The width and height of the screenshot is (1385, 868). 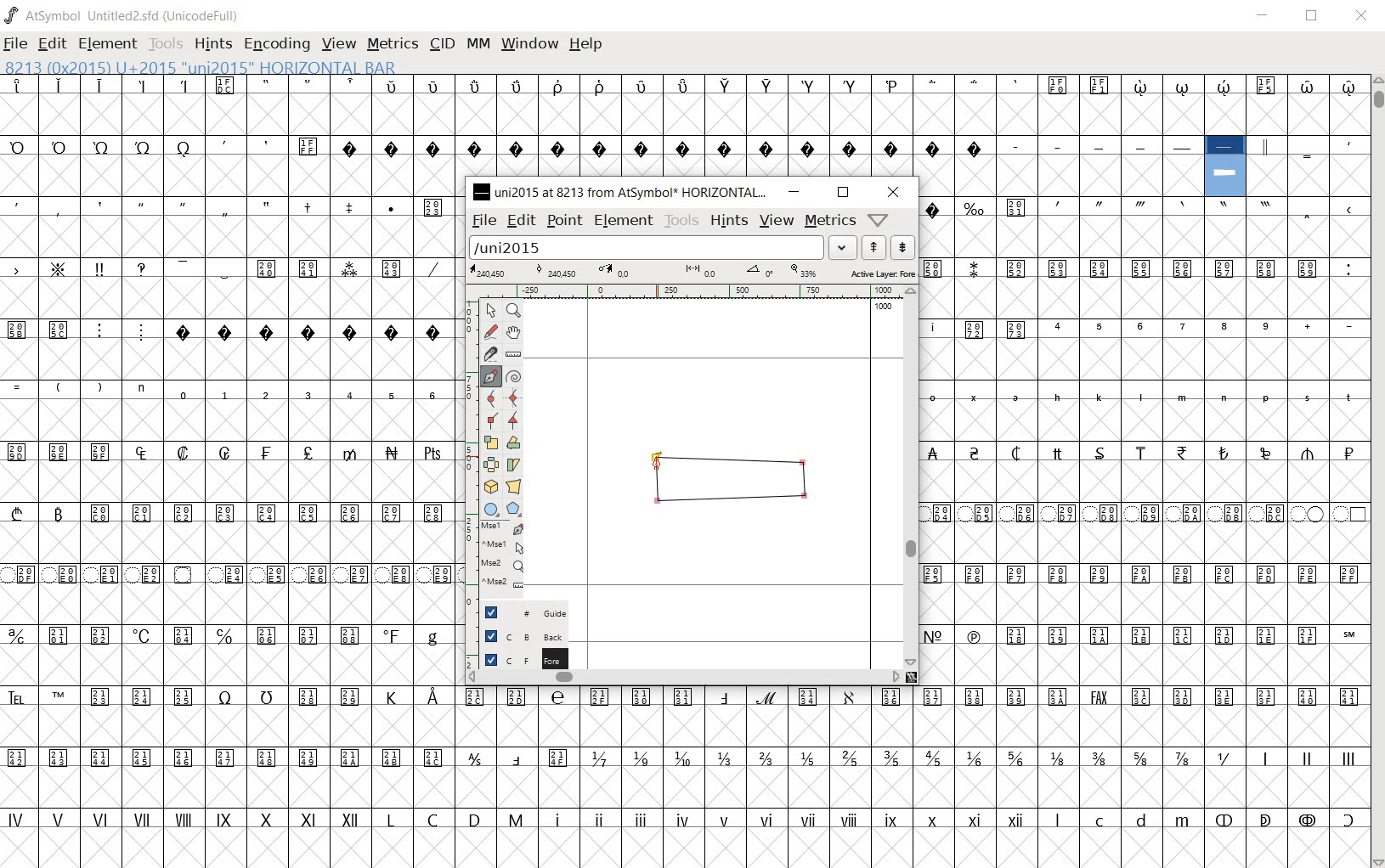 What do you see at coordinates (490, 464) in the screenshot?
I see `flip the selection` at bounding box center [490, 464].